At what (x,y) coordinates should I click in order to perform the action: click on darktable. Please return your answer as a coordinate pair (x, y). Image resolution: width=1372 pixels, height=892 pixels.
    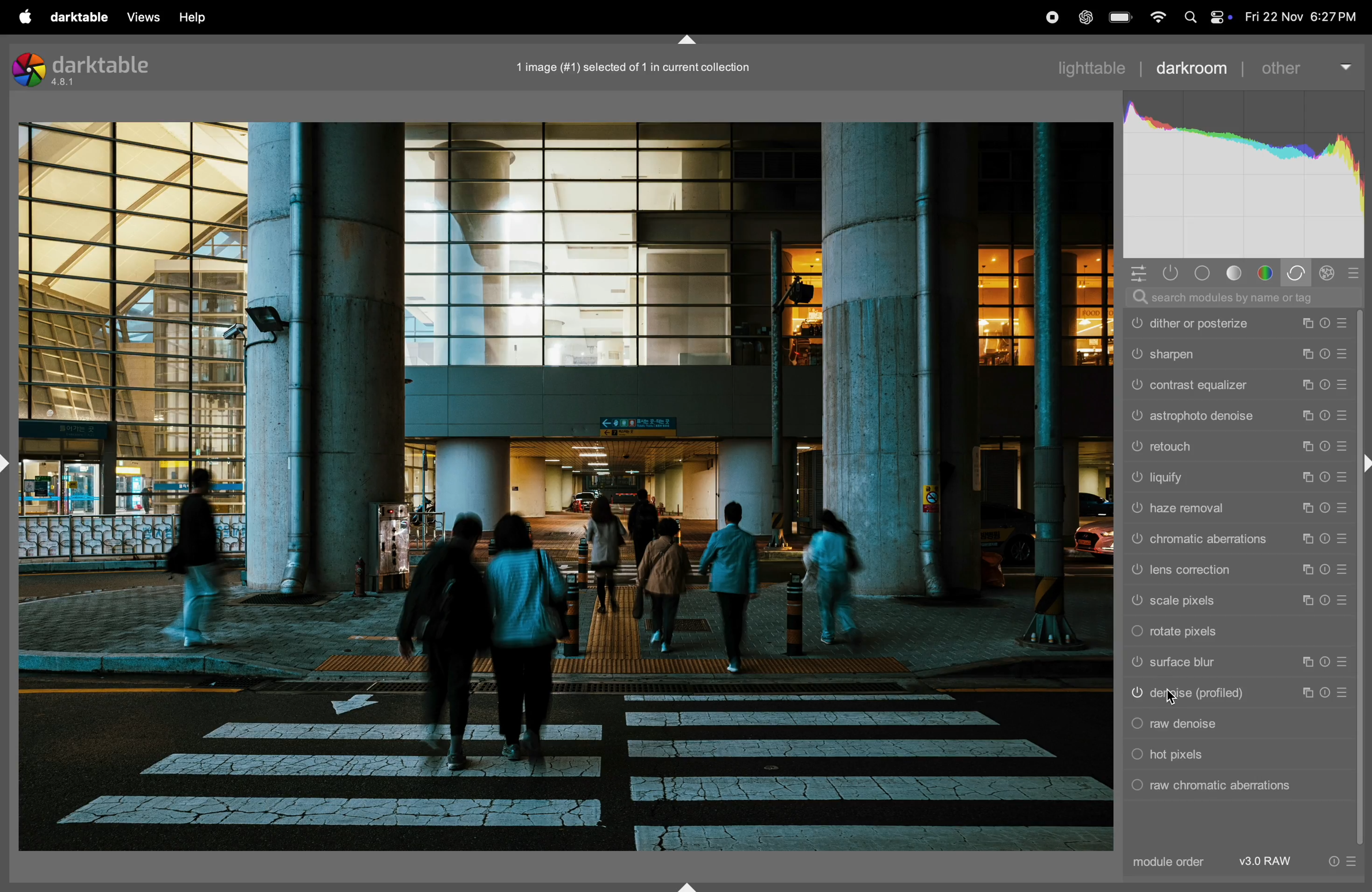
    Looking at the image, I should click on (82, 18).